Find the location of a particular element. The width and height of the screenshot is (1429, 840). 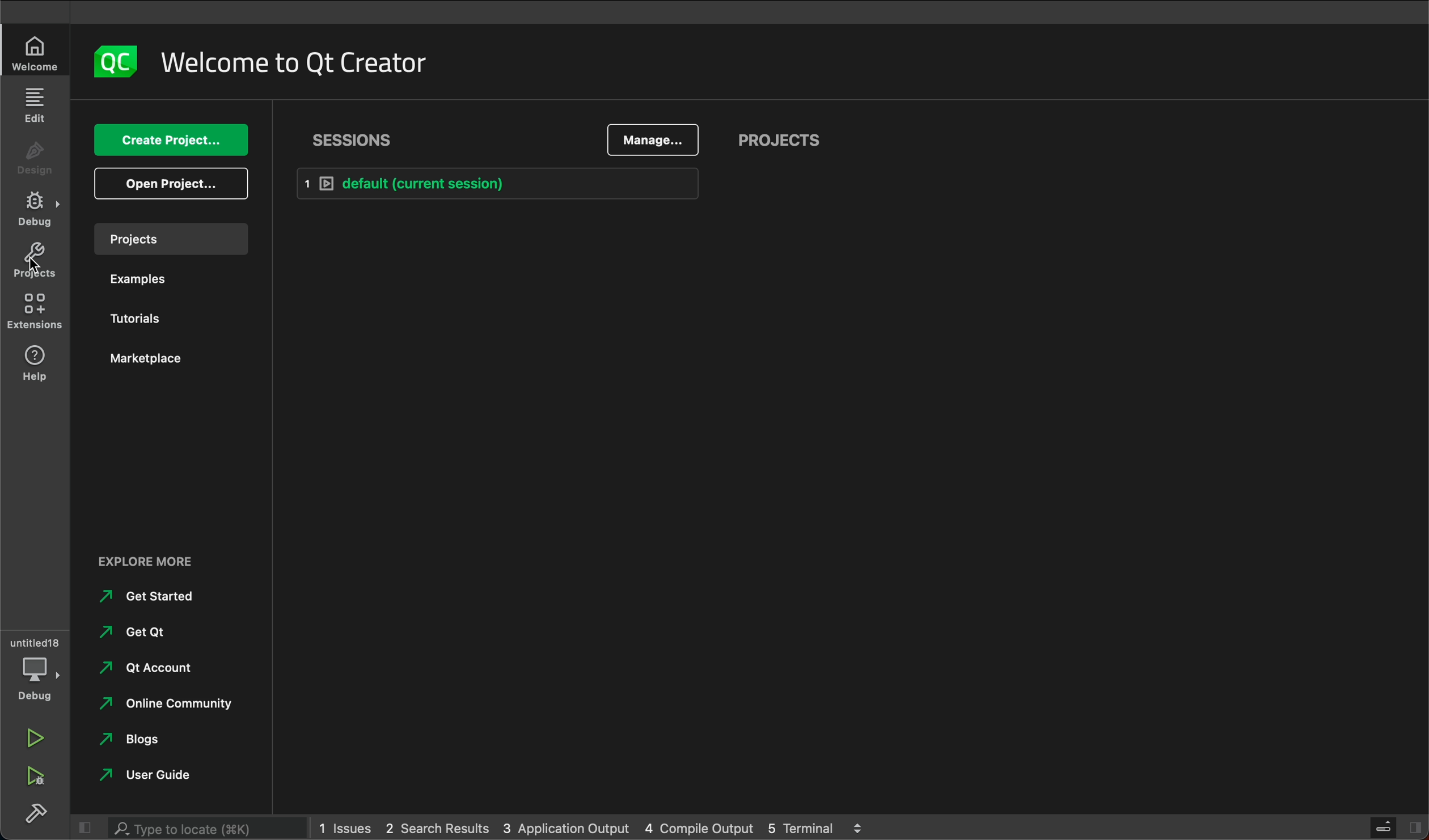

projects is located at coordinates (787, 141).